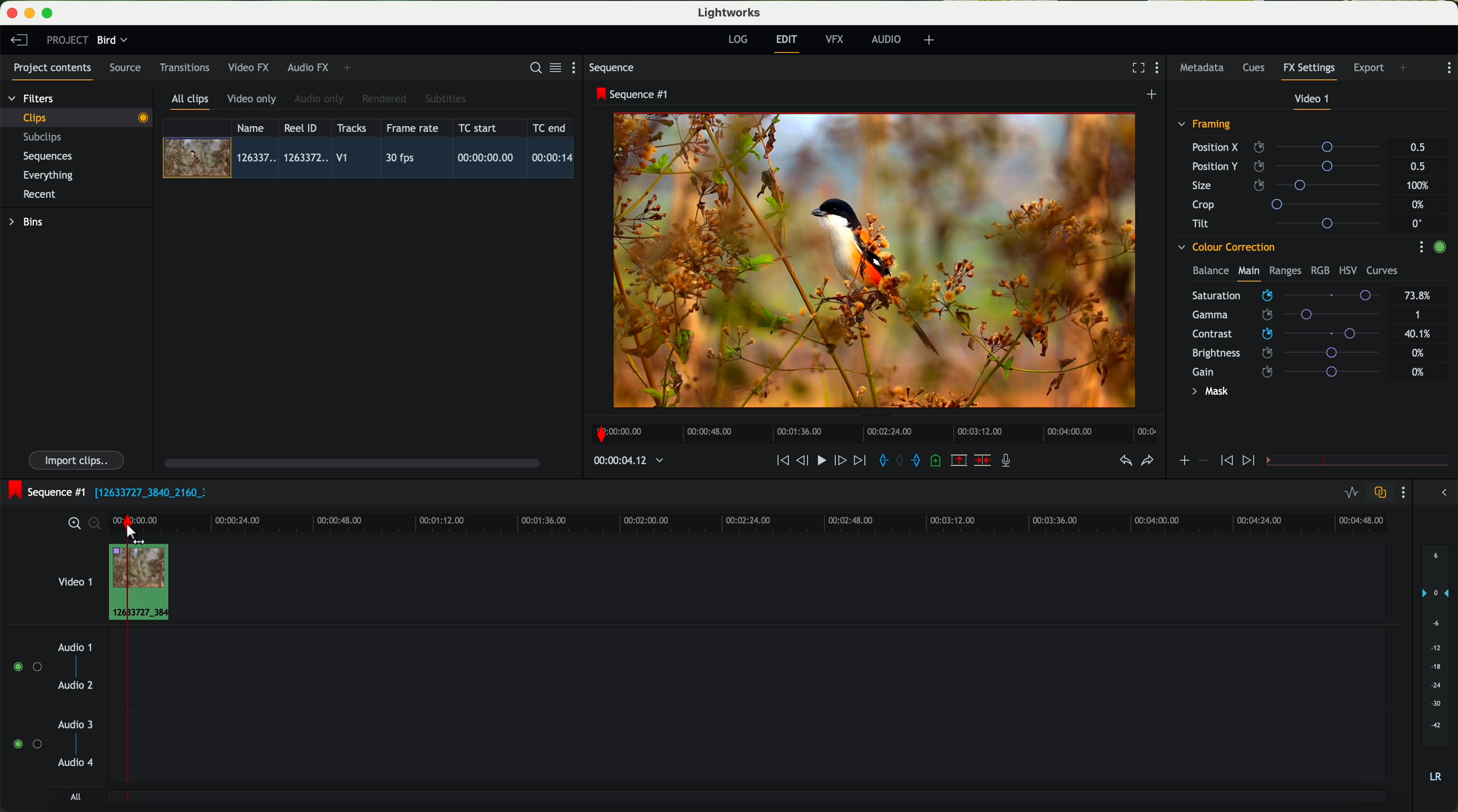  I want to click on zoom out, so click(96, 525).